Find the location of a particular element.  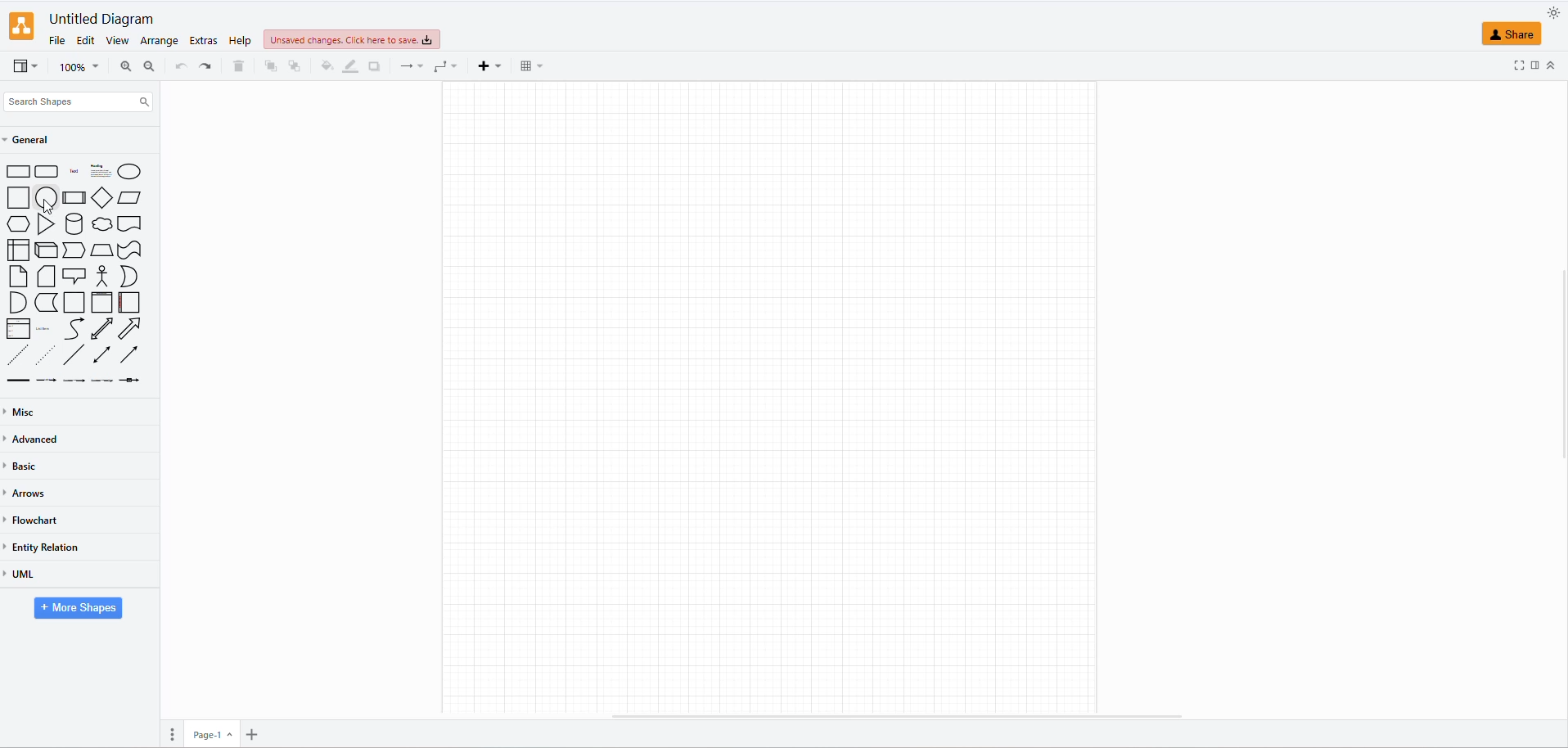

PROCESS is located at coordinates (74, 198).